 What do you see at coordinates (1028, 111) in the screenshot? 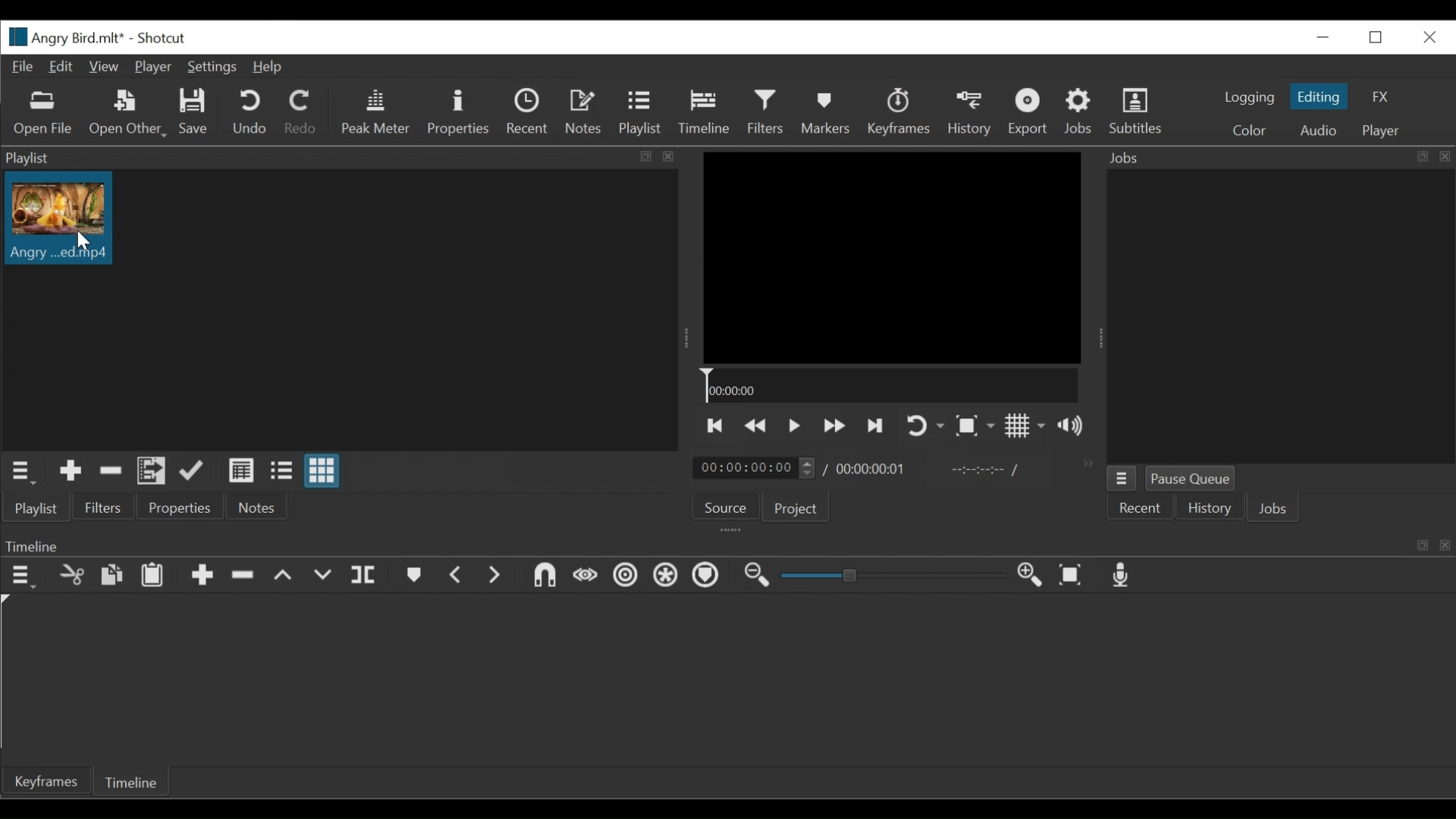
I see `Export` at bounding box center [1028, 111].